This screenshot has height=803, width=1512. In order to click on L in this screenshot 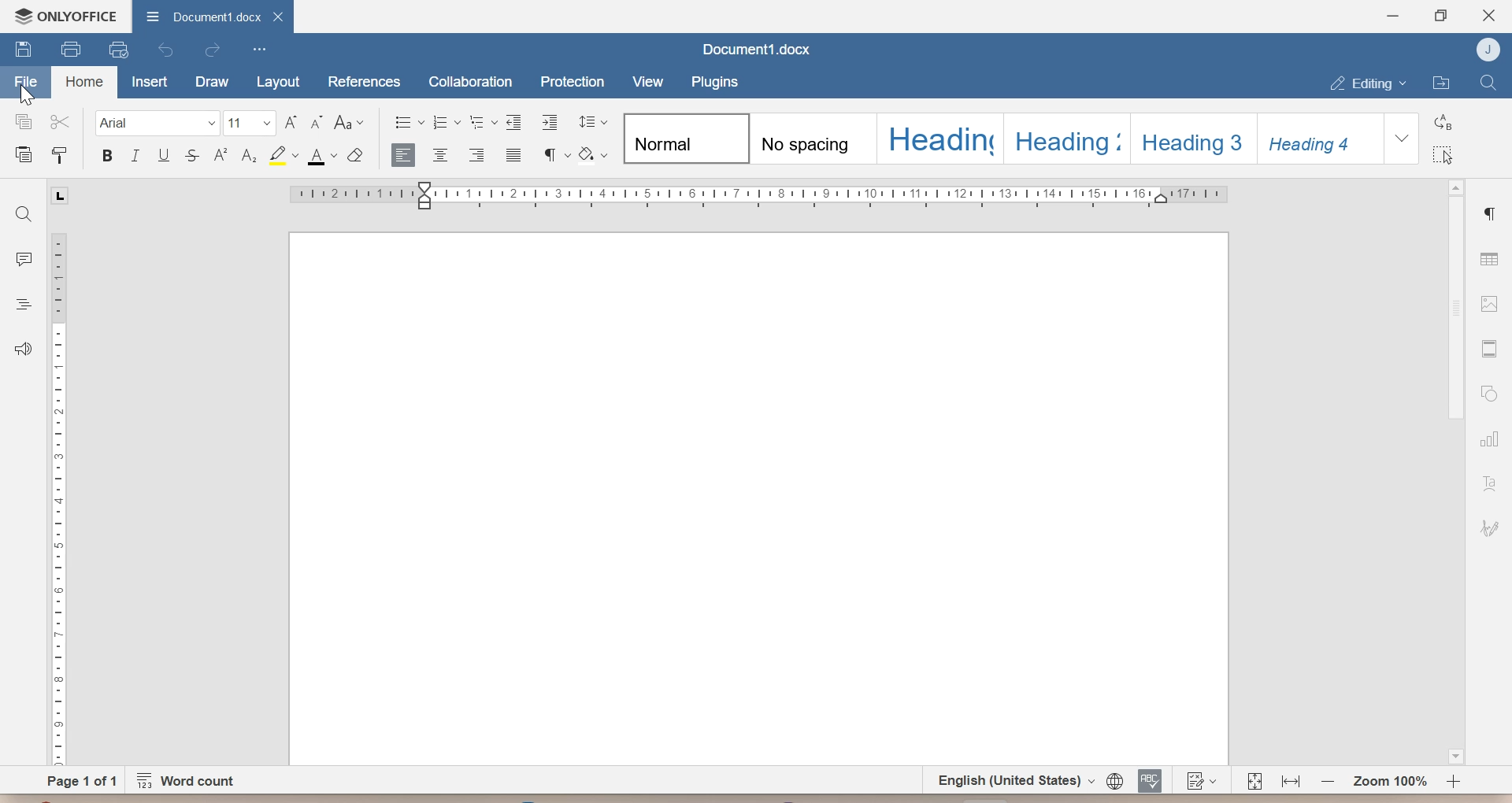, I will do `click(61, 195)`.